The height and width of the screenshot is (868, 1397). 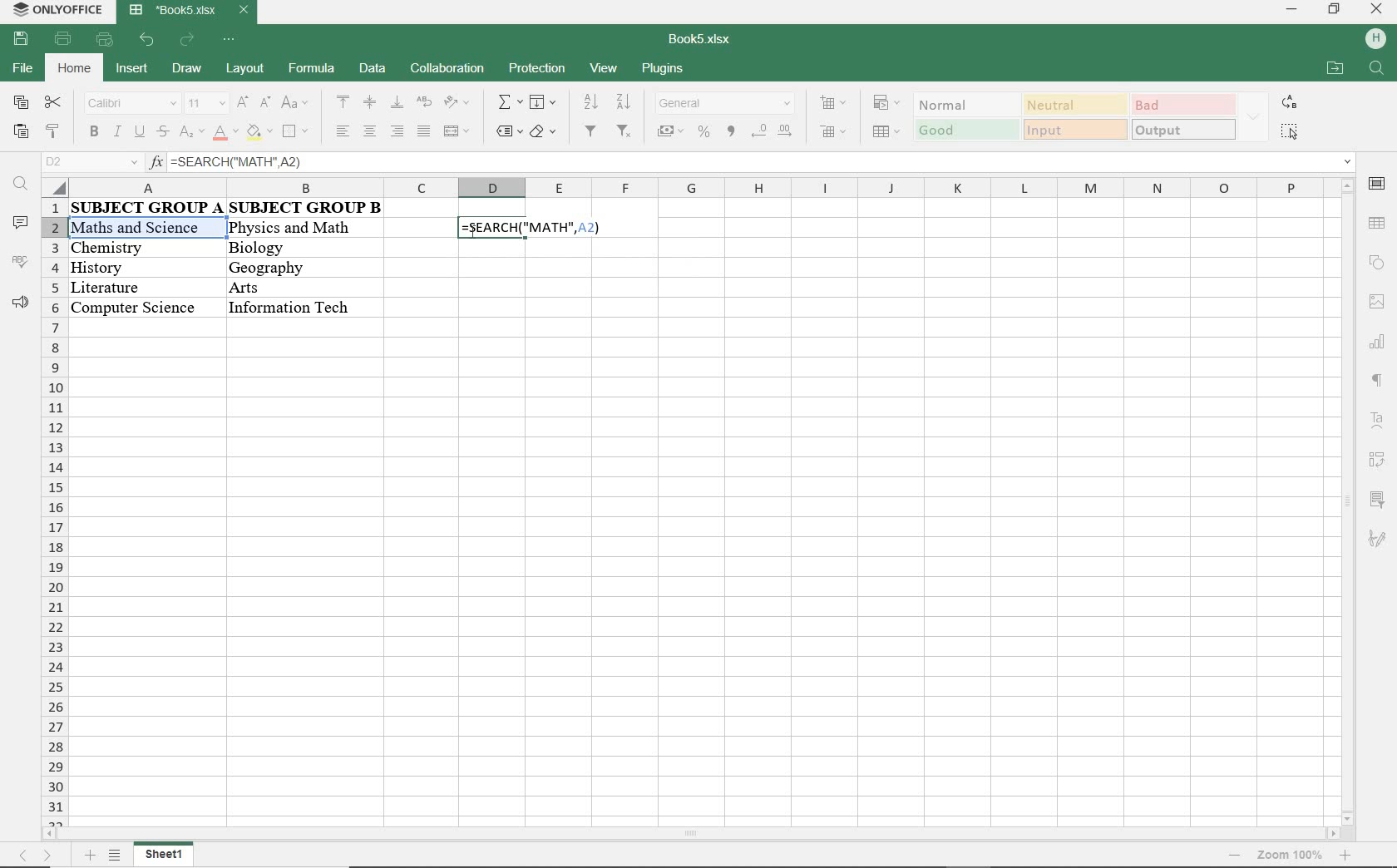 I want to click on sheet 1, so click(x=173, y=856).